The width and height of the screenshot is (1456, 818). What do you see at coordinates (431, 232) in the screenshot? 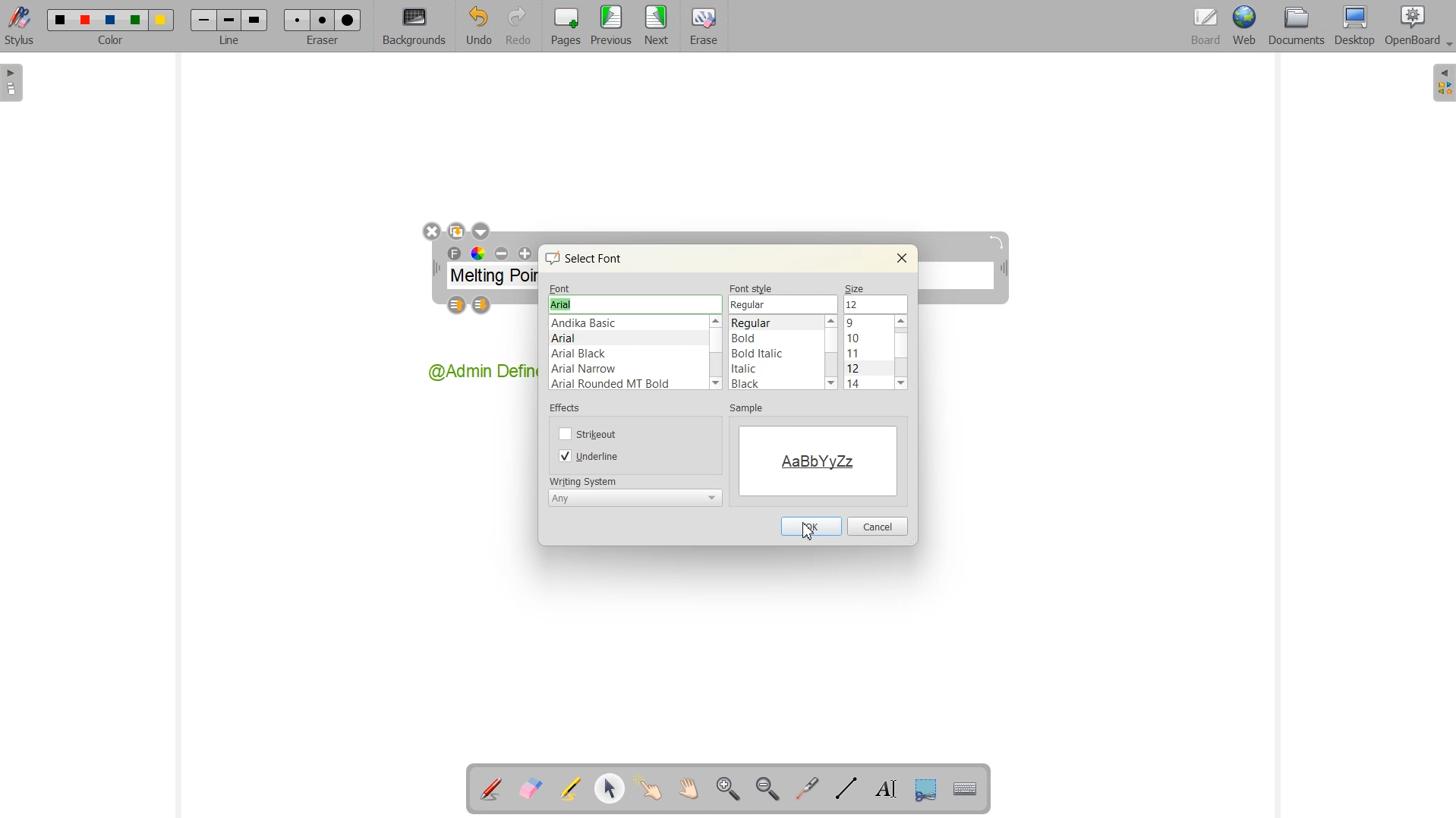
I see `Close` at bounding box center [431, 232].